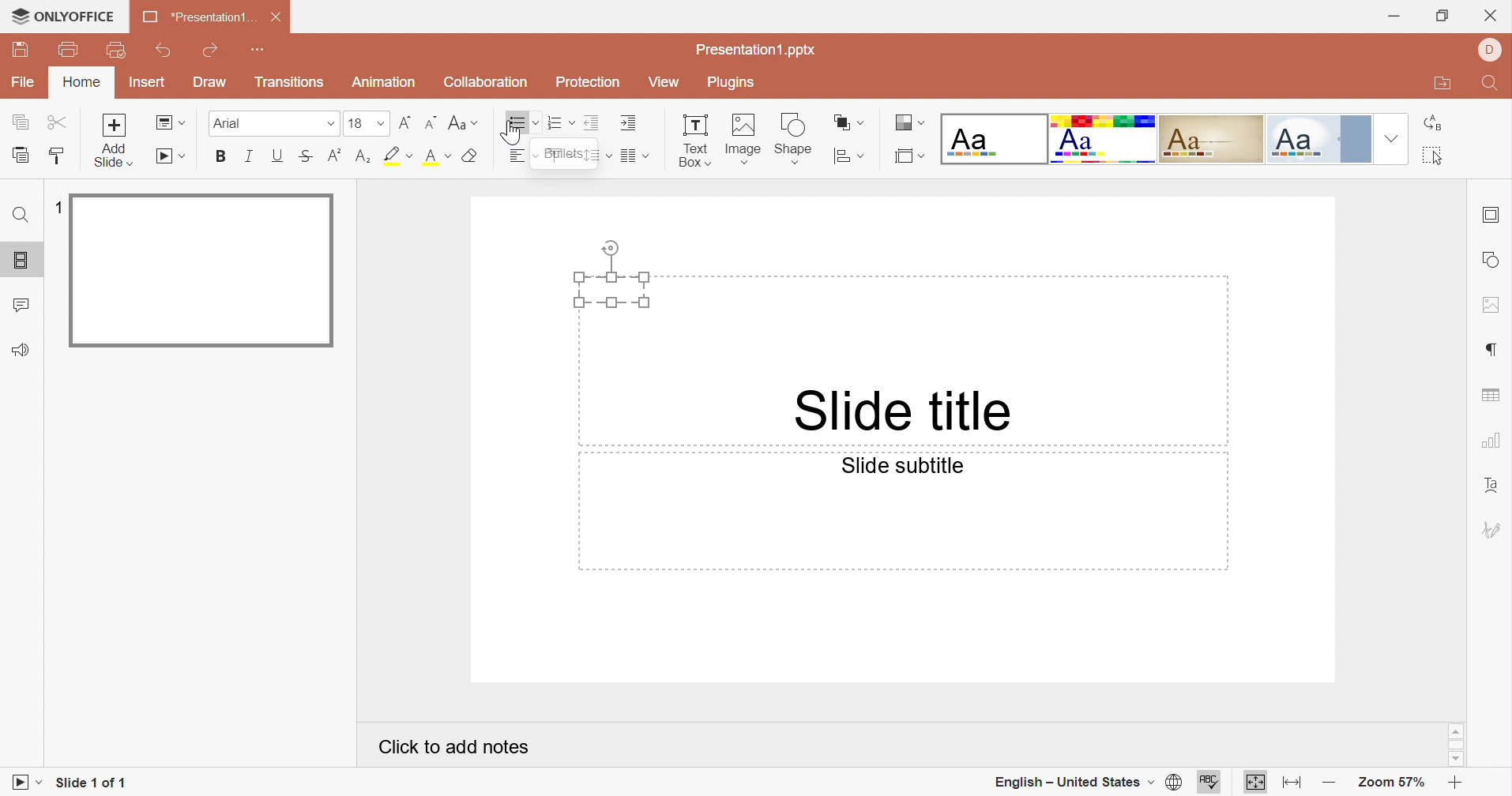  Describe the element at coordinates (1452, 731) in the screenshot. I see `Scroll Up` at that location.